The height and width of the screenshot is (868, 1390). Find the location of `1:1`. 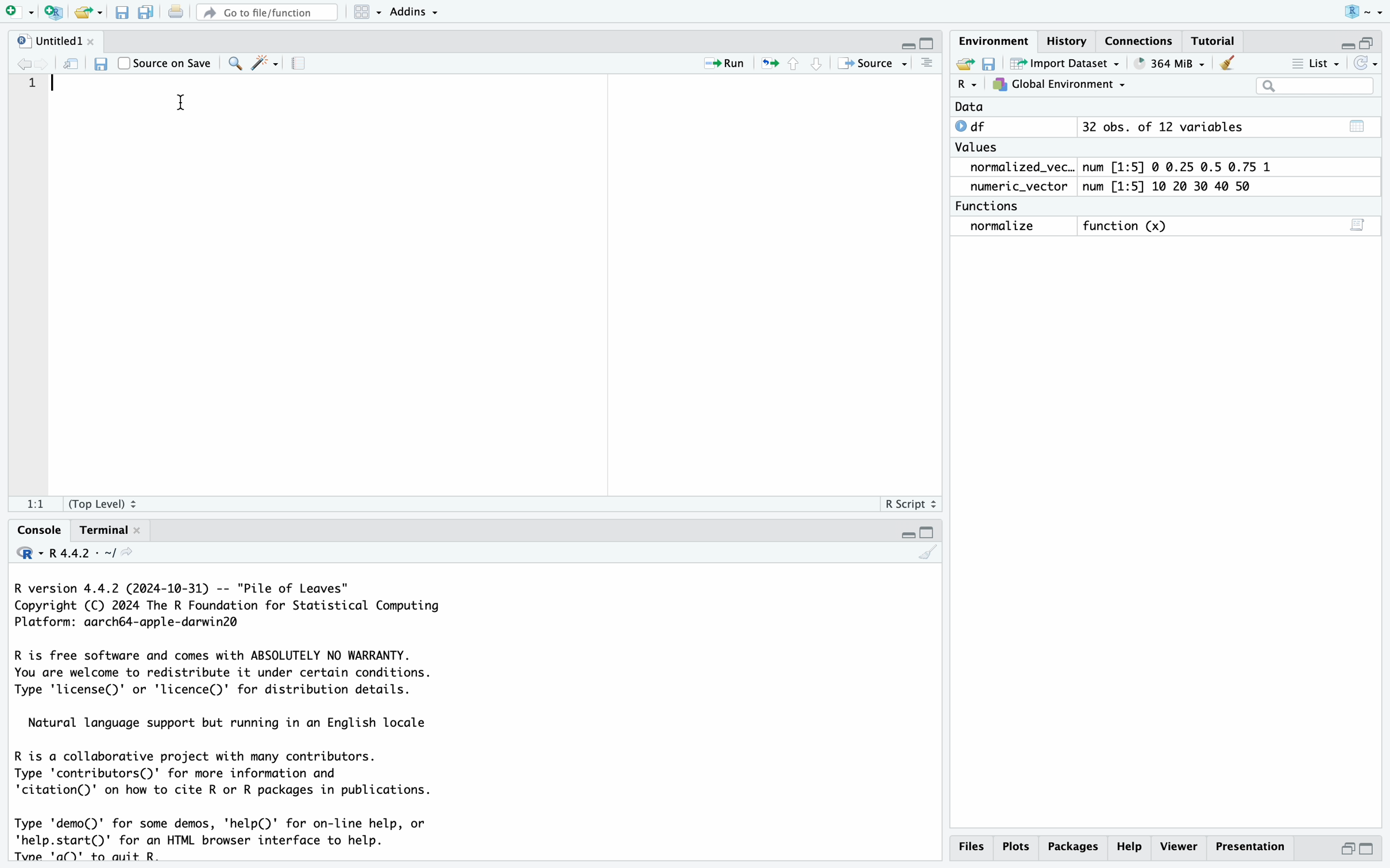

1:1 is located at coordinates (34, 506).